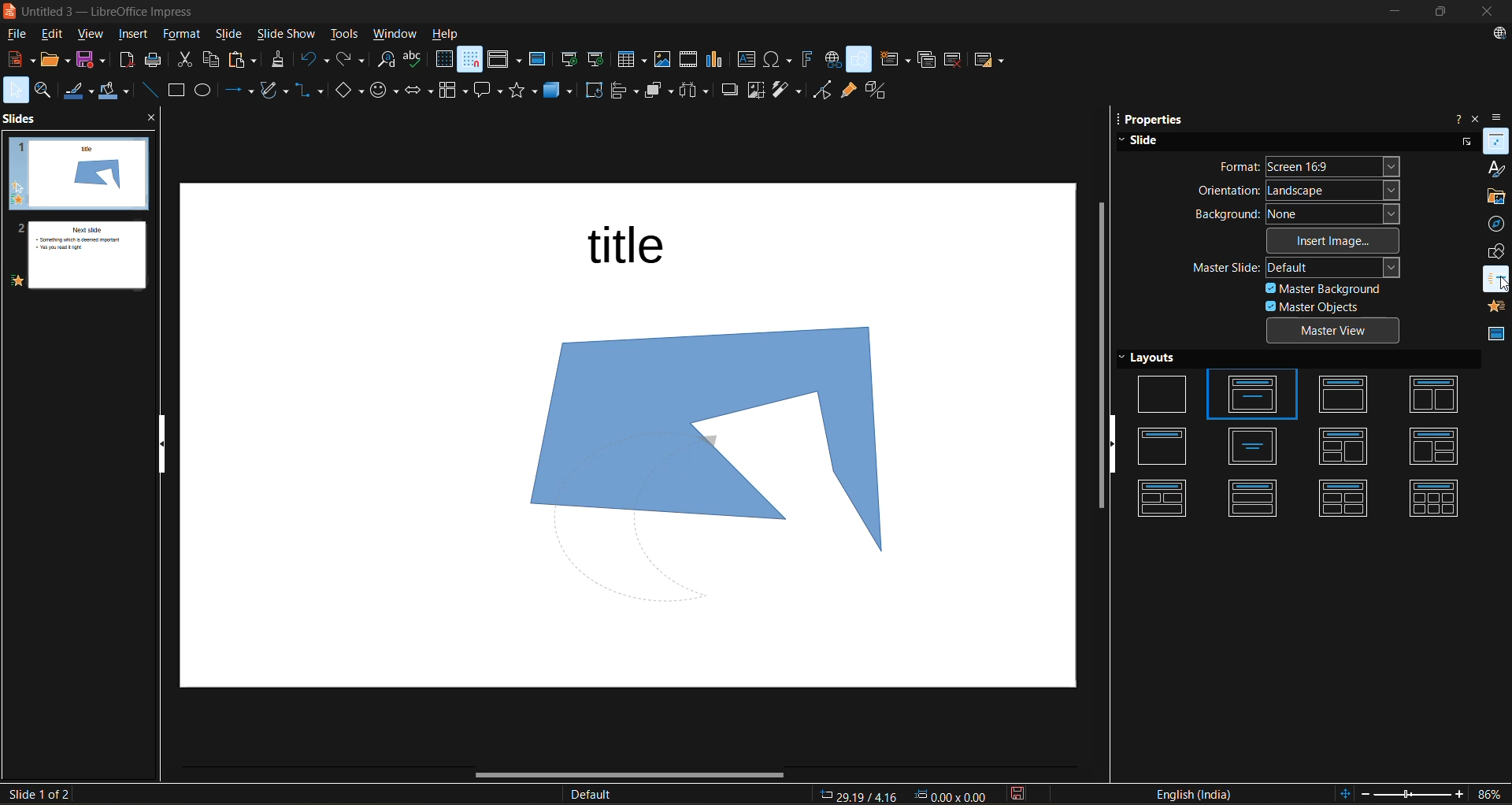  Describe the element at coordinates (1148, 140) in the screenshot. I see `slide` at that location.